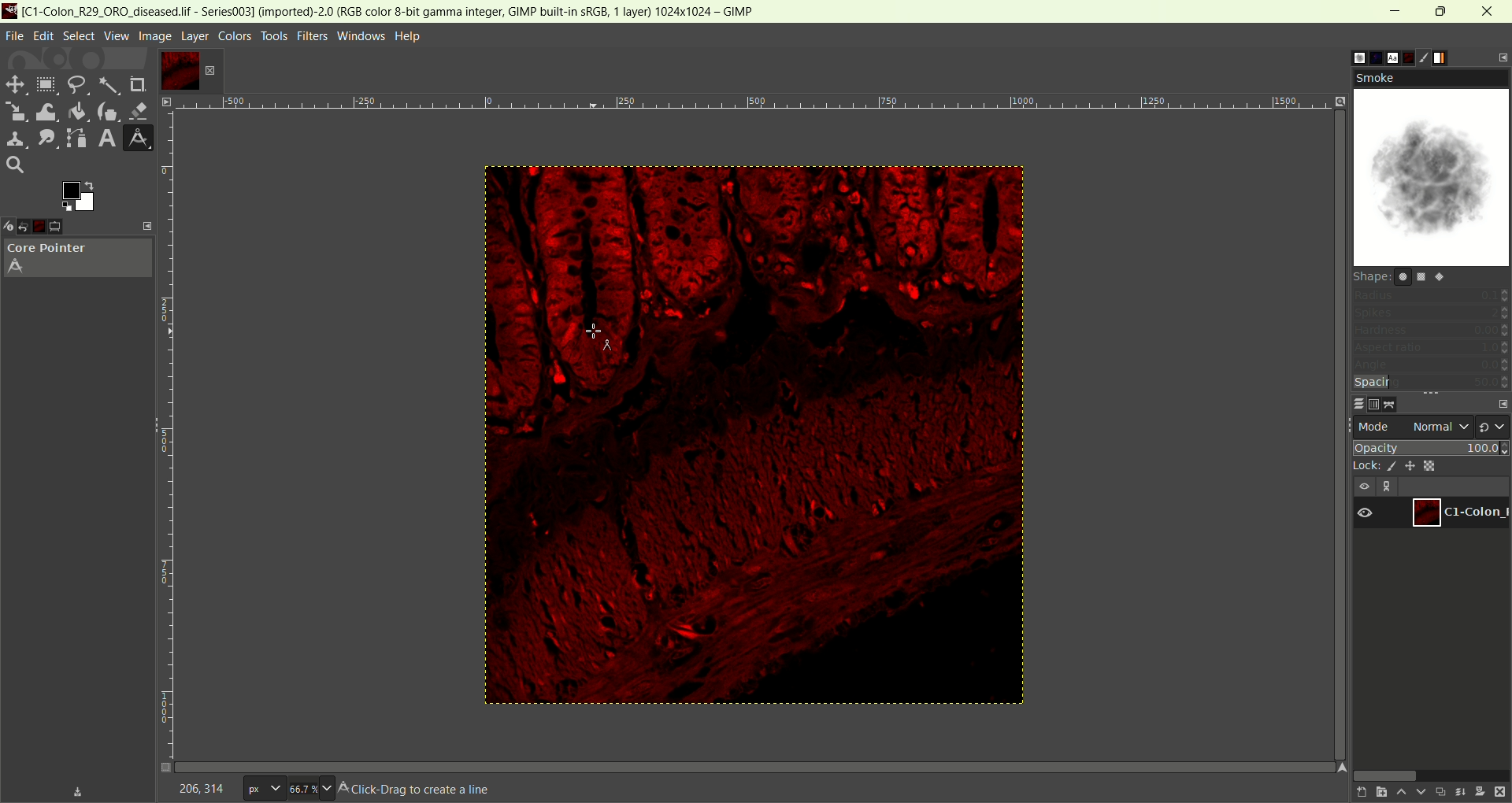 The image size is (1512, 803). Describe the element at coordinates (1346, 57) in the screenshot. I see `brush` at that location.